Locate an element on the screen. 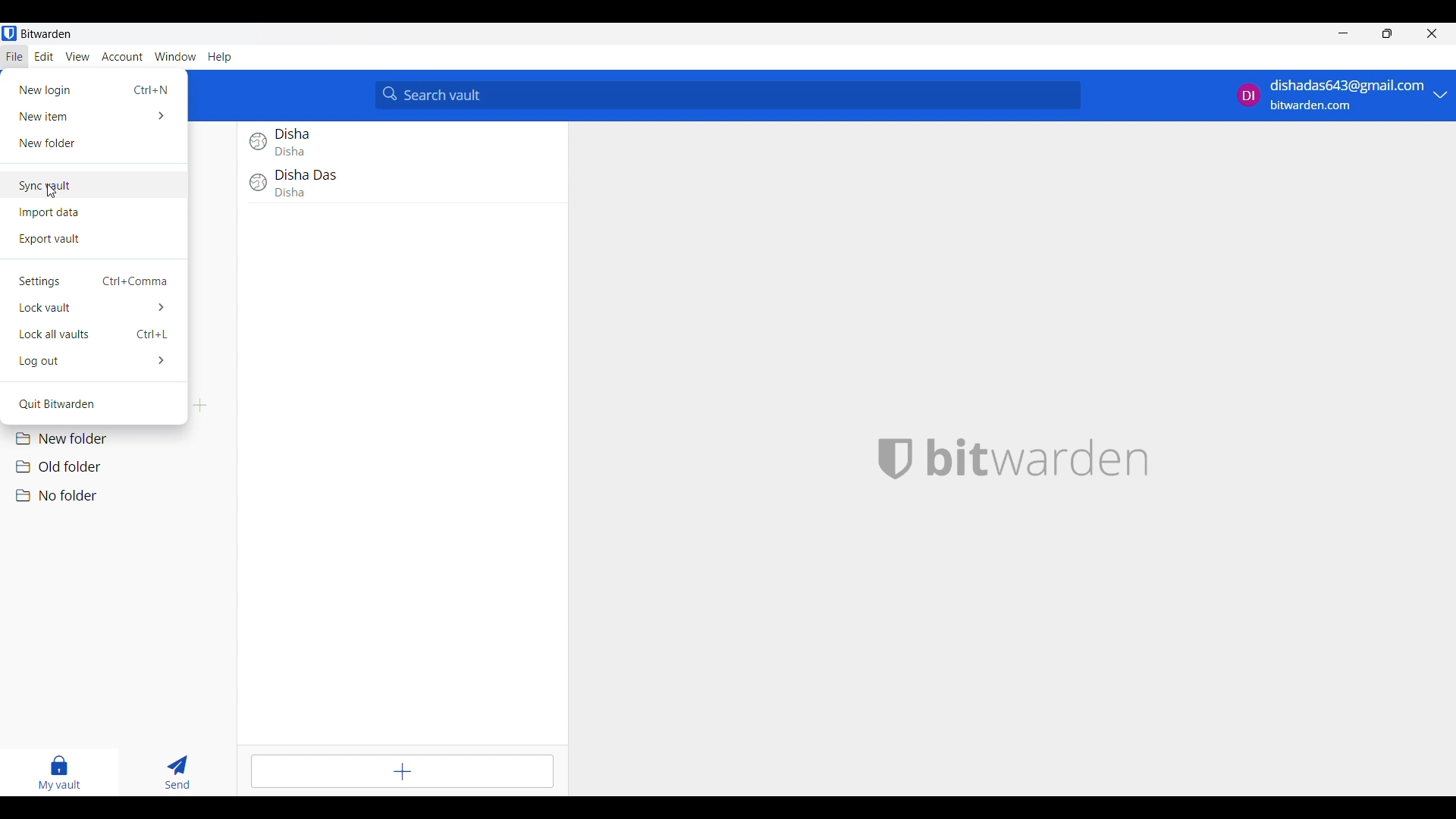  Lock all vaults is located at coordinates (94, 334).